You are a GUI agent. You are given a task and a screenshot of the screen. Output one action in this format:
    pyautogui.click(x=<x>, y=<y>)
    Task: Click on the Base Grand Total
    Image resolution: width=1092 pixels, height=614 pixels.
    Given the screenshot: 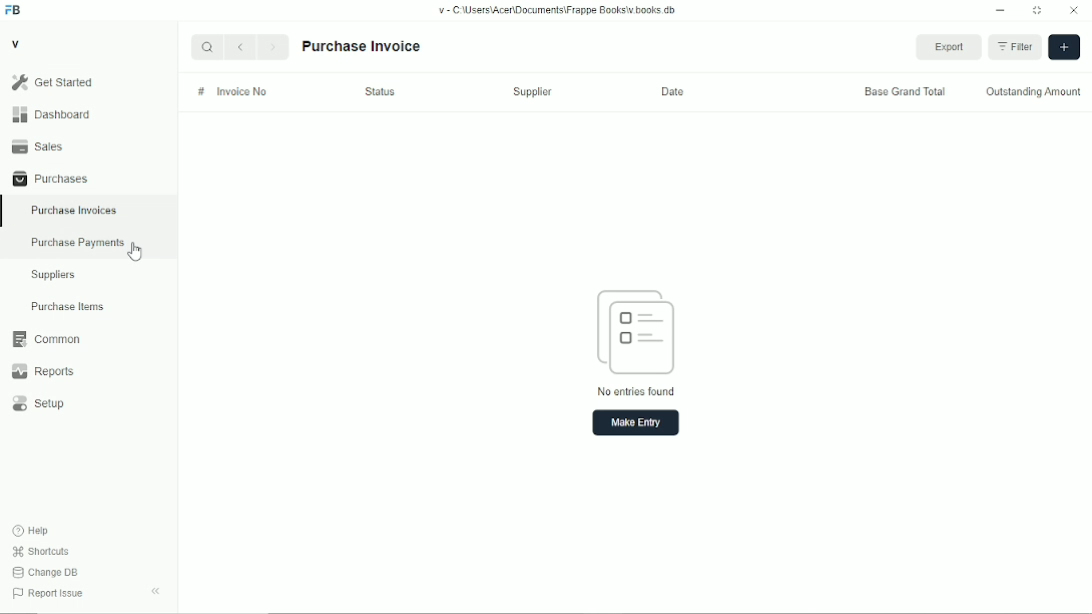 What is the action you would take?
    pyautogui.click(x=905, y=91)
    